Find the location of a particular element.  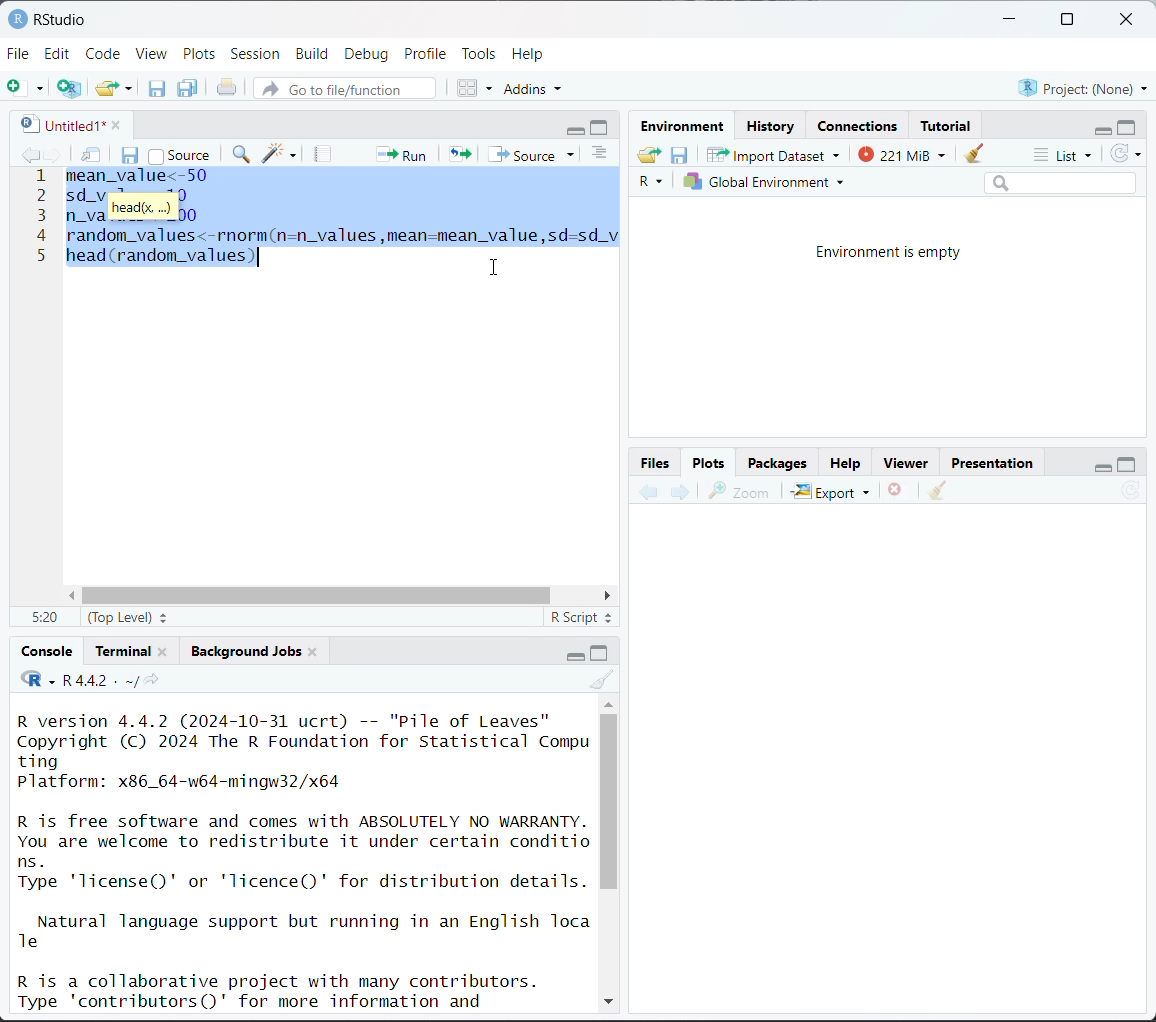

minimize is located at coordinates (571, 654).